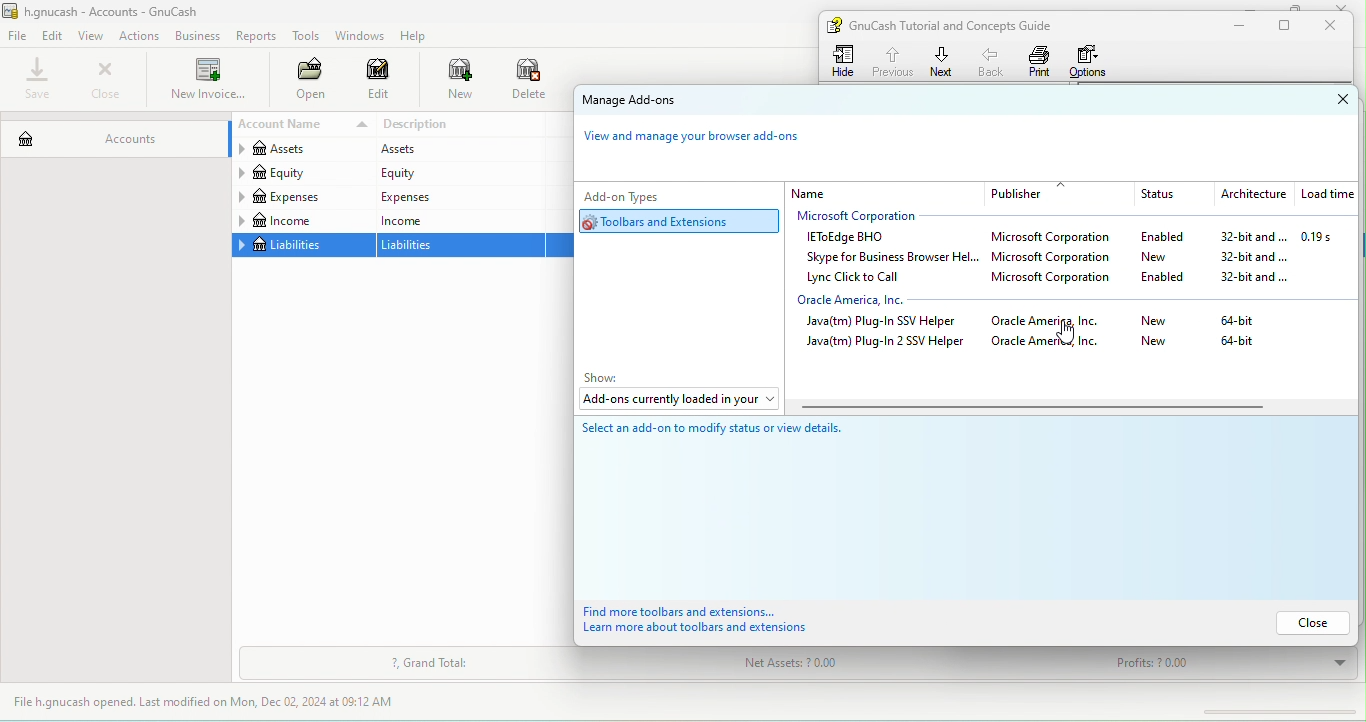 This screenshot has width=1366, height=722. What do you see at coordinates (450, 81) in the screenshot?
I see `new` at bounding box center [450, 81].